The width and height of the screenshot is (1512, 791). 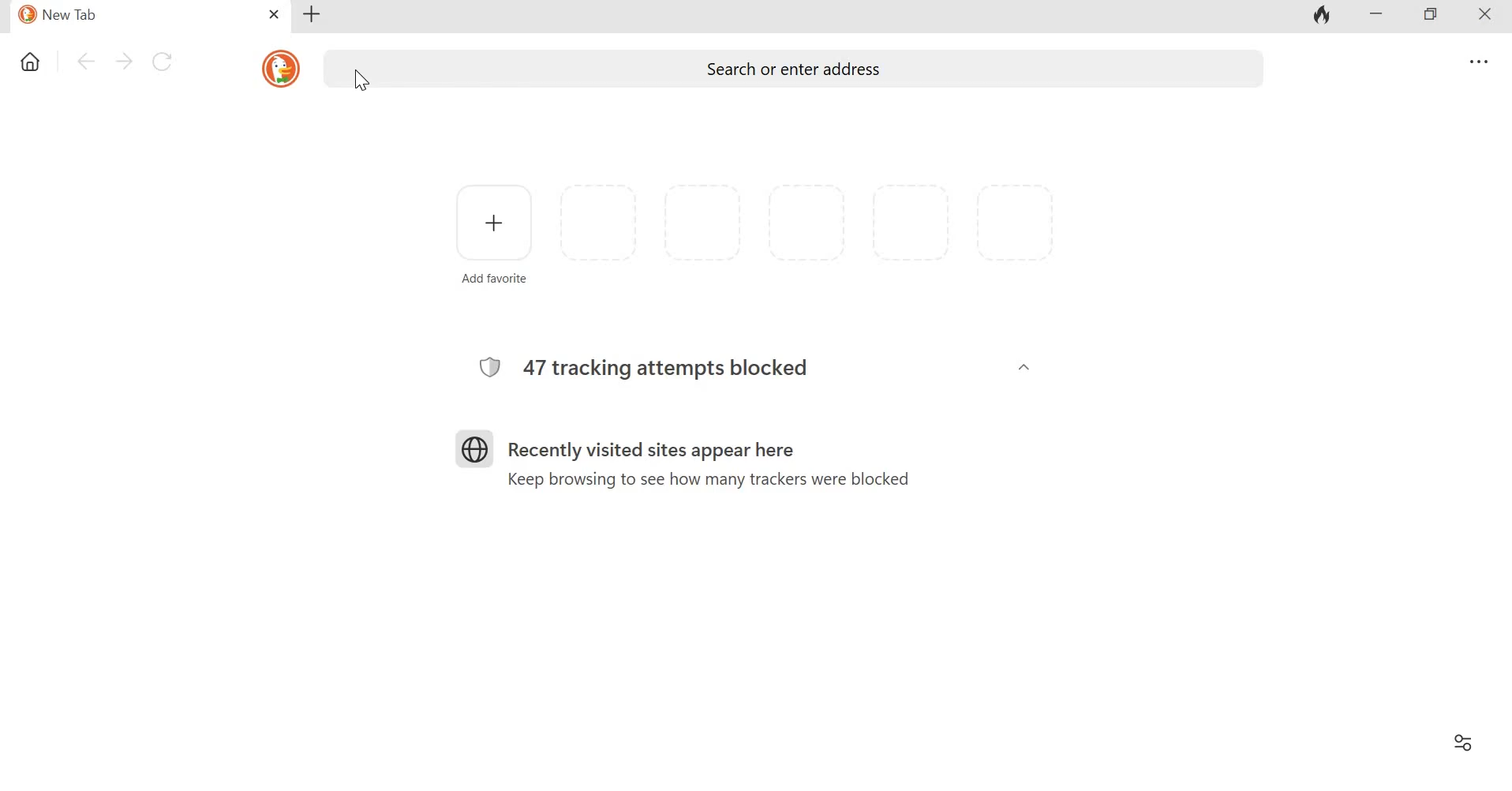 What do you see at coordinates (1474, 59) in the screenshot?
I see `Overflow menu` at bounding box center [1474, 59].